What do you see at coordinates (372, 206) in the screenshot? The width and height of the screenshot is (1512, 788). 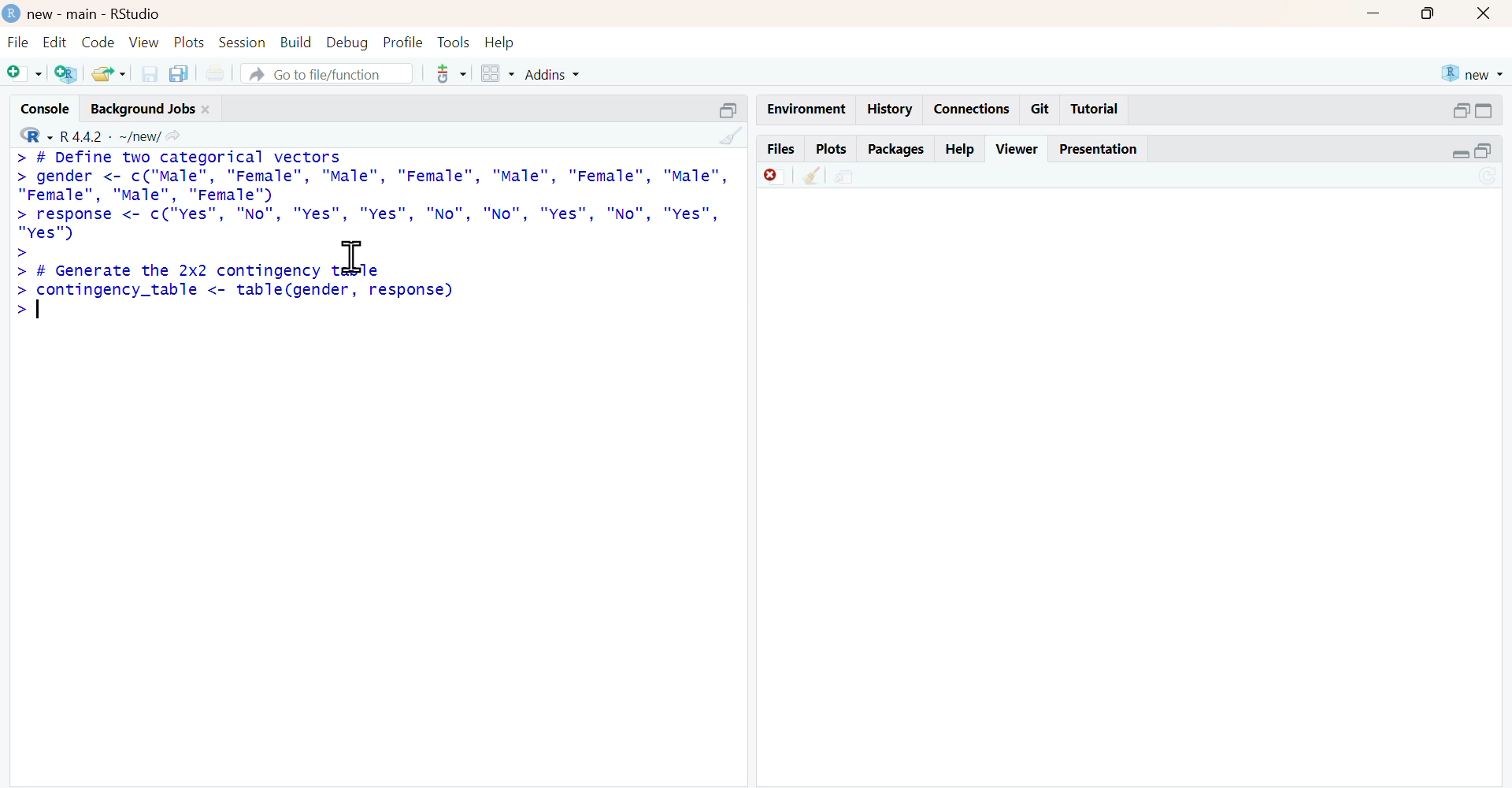 I see `> # Define two categorical vectors> gender <- c("Male", "Female", "Male", "Female", "Male", "Female", "Male","Female", "Male", "Female")> response <- c("Yes", "No", "ves", "Yes", "No", "No", "Yes", "No", "ves","Yes">` at bounding box center [372, 206].